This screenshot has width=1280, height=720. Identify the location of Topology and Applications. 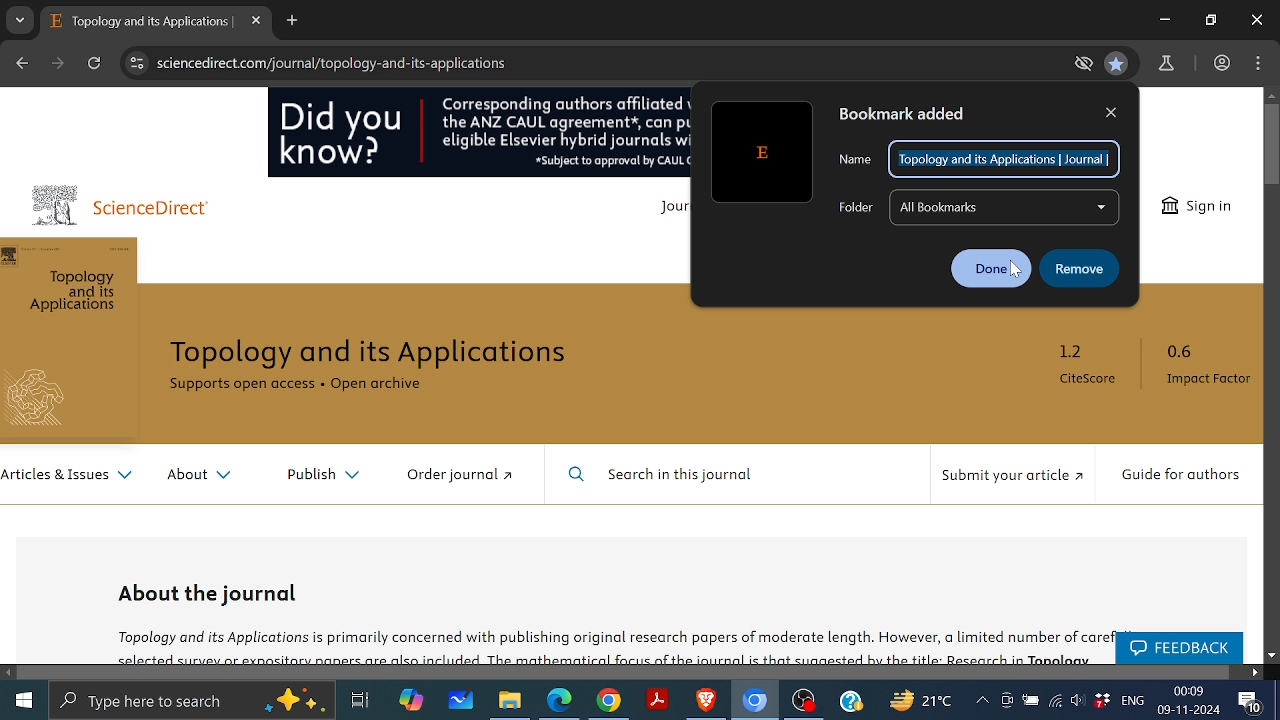
(76, 294).